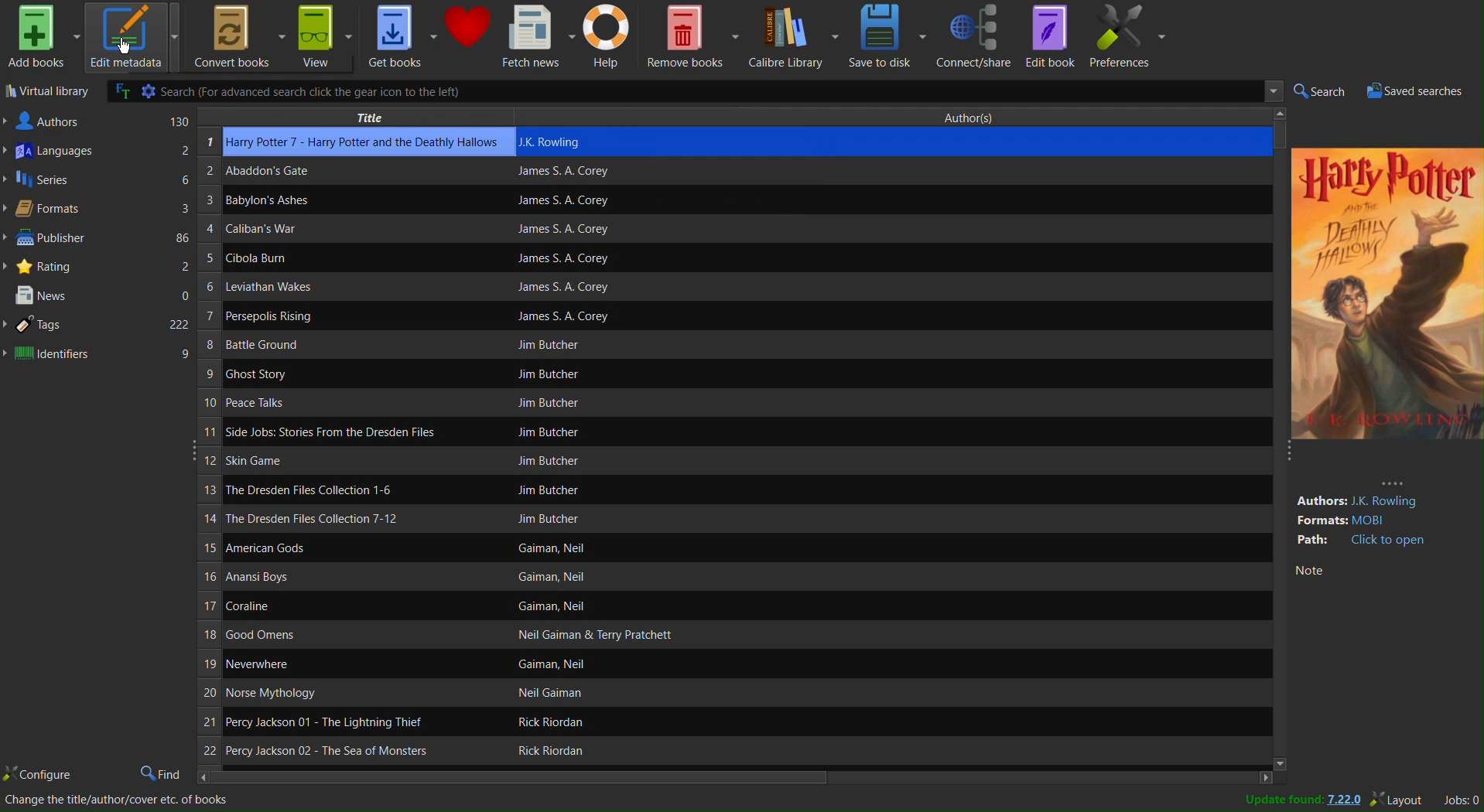  What do you see at coordinates (1372, 573) in the screenshot?
I see `note` at bounding box center [1372, 573].